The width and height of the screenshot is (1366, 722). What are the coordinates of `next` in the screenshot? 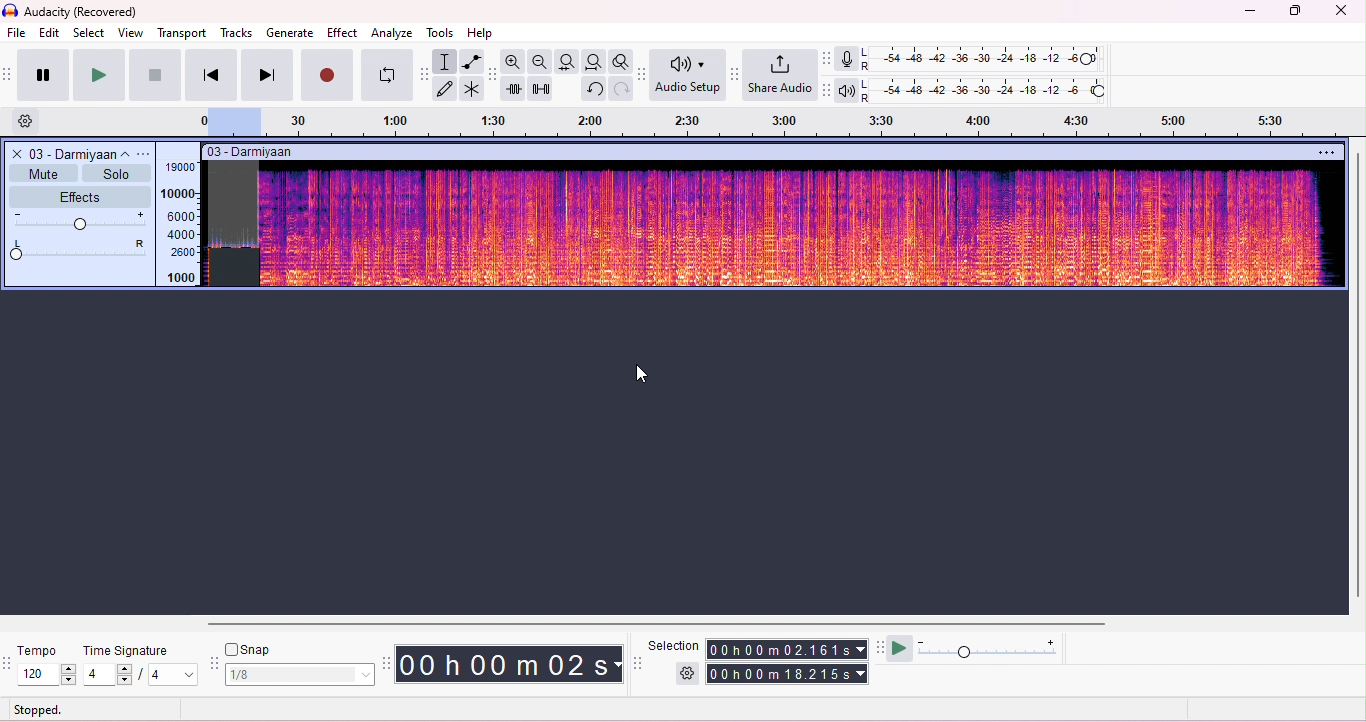 It's located at (267, 75).